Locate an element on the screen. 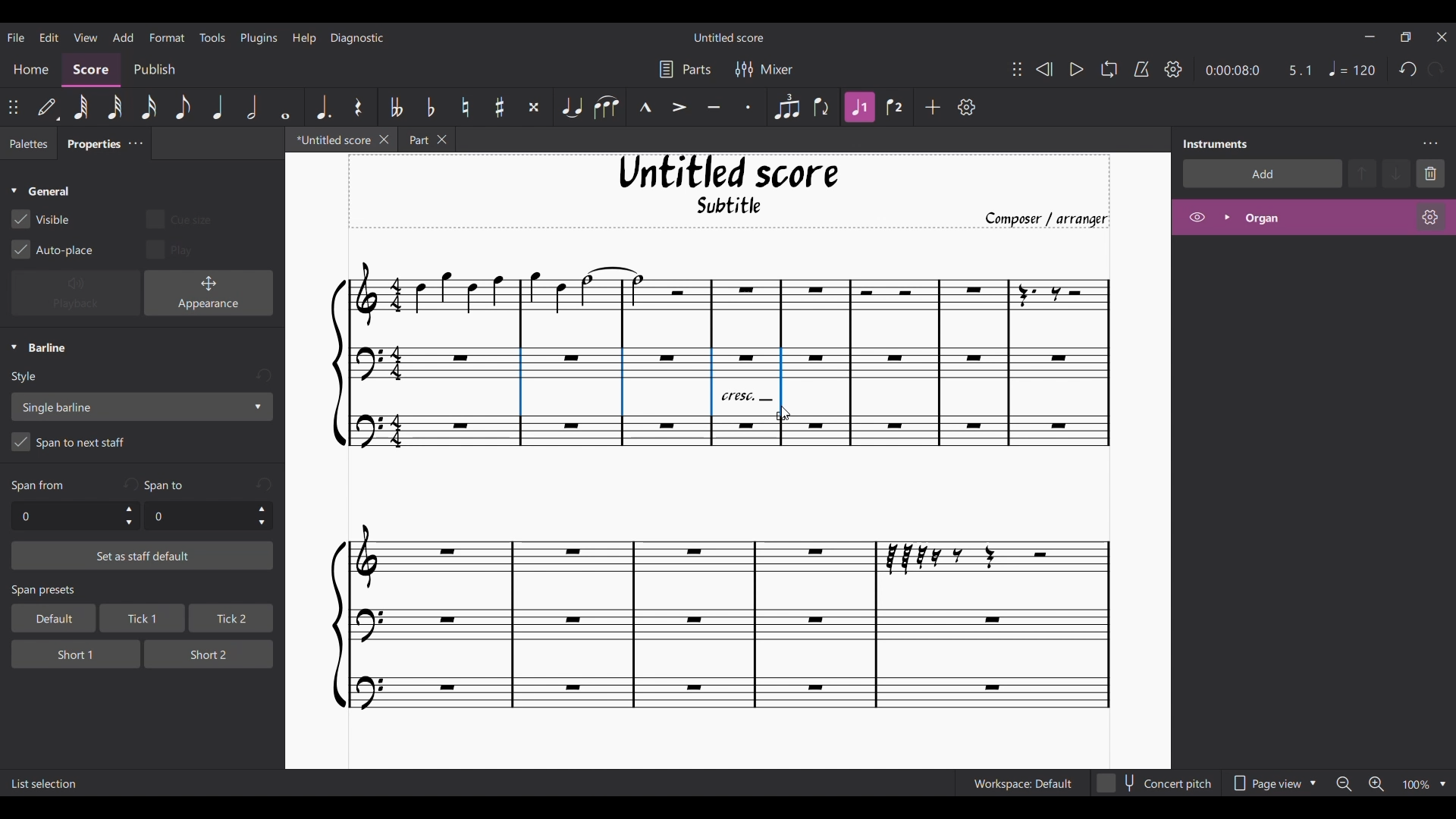  Rest is located at coordinates (358, 107).